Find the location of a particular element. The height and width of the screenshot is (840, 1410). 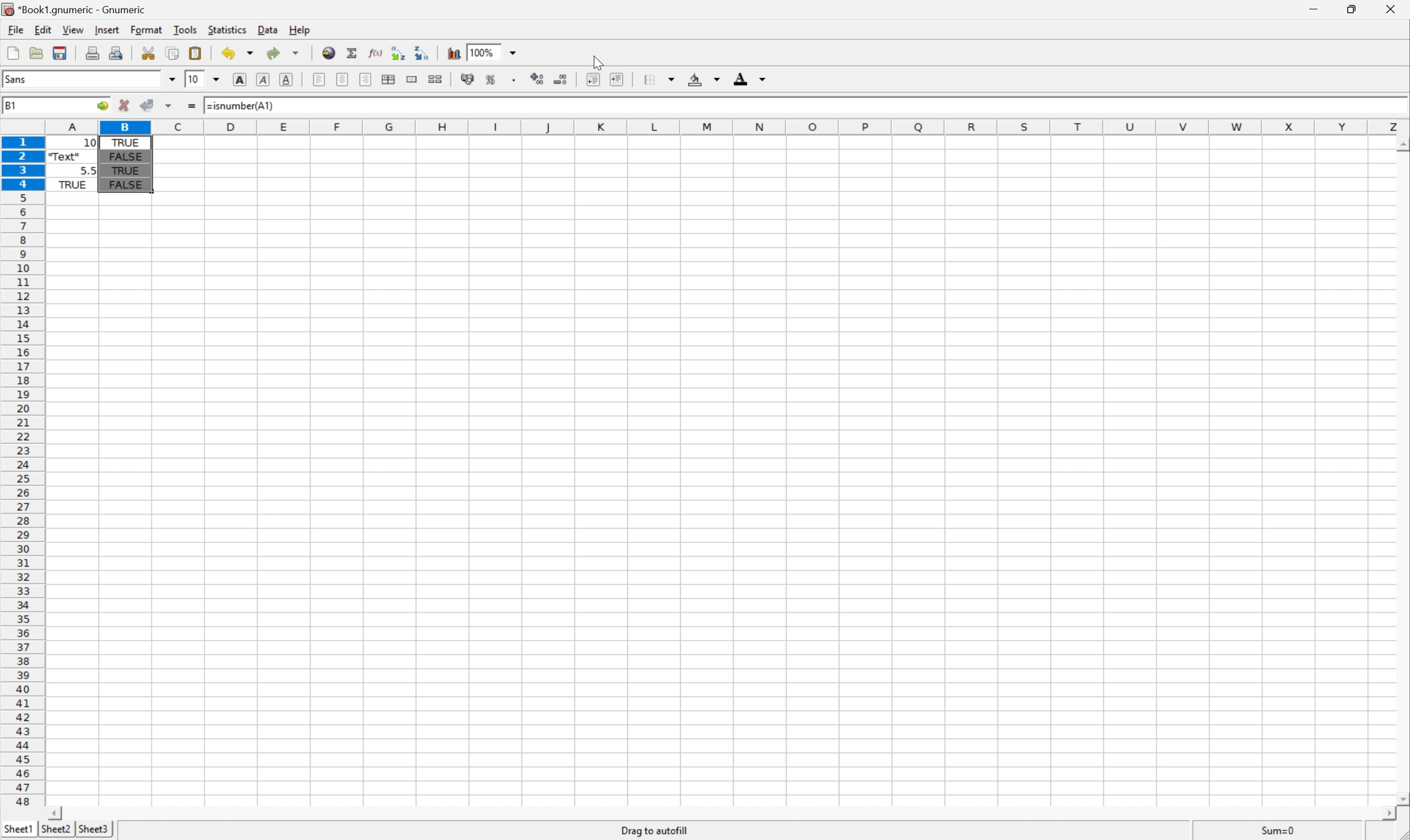

Undo is located at coordinates (238, 52).